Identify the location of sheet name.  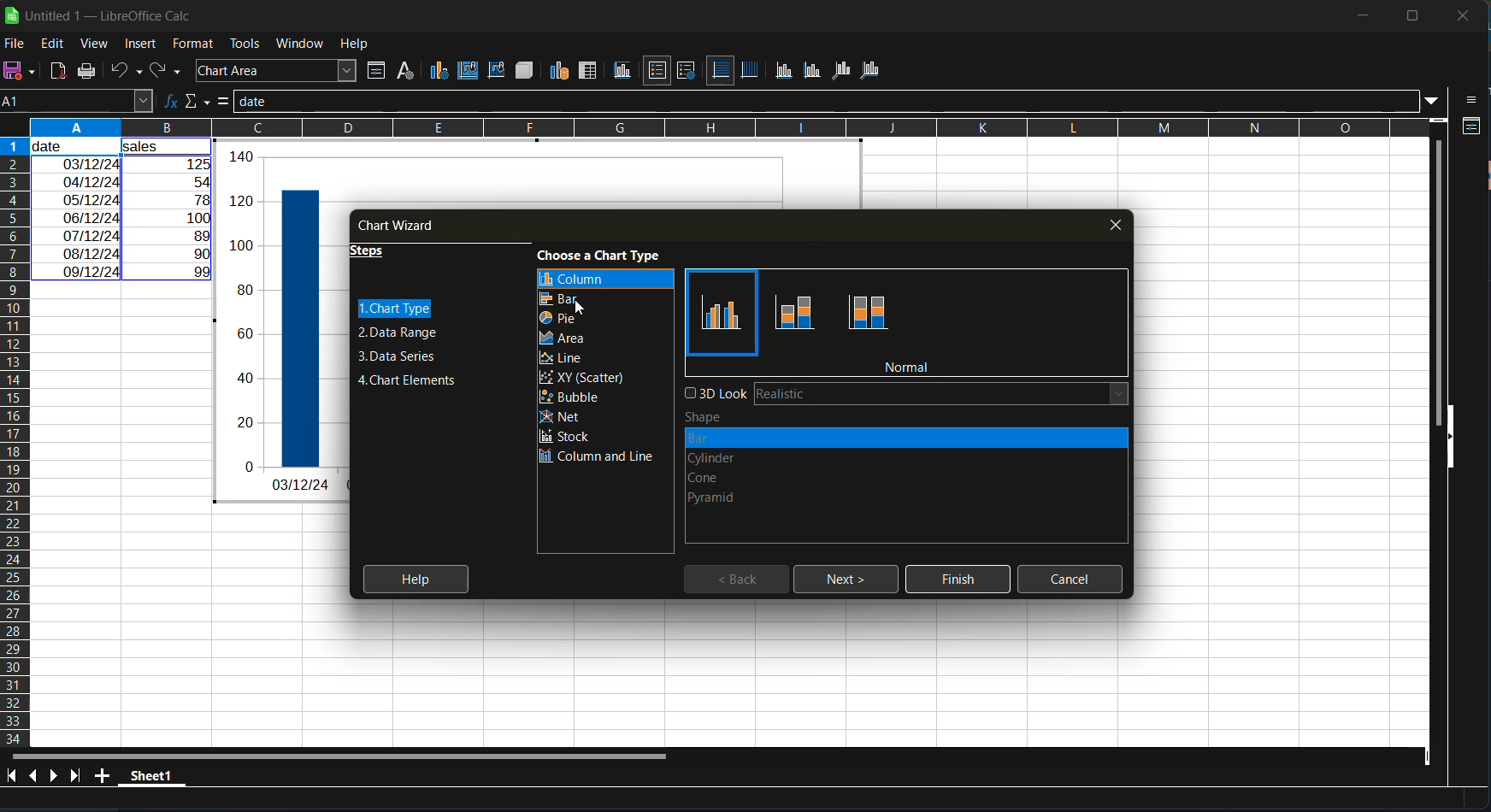
(152, 778).